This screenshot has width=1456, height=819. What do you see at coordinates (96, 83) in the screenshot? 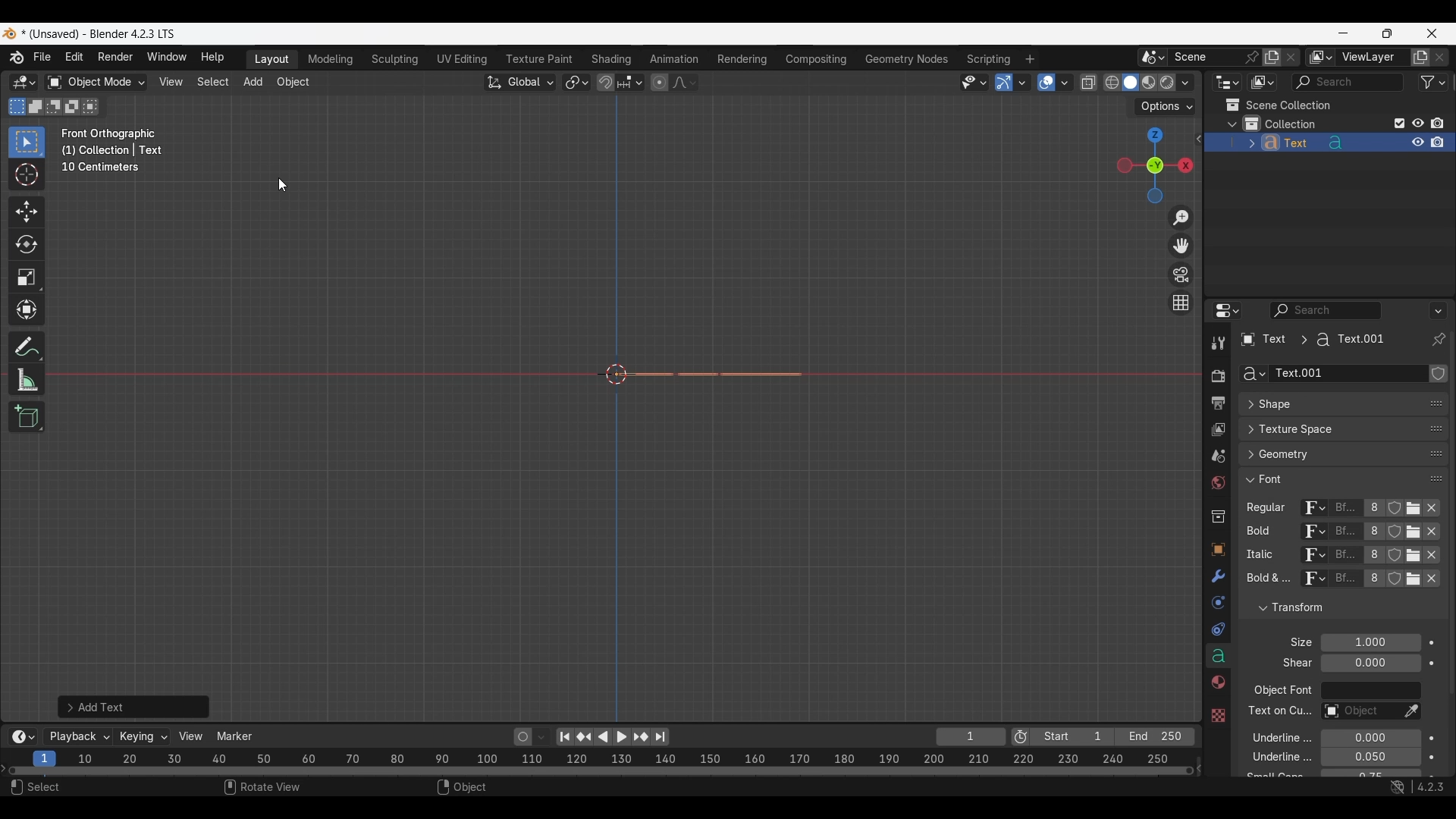
I see `Sets the object interaction mode` at bounding box center [96, 83].